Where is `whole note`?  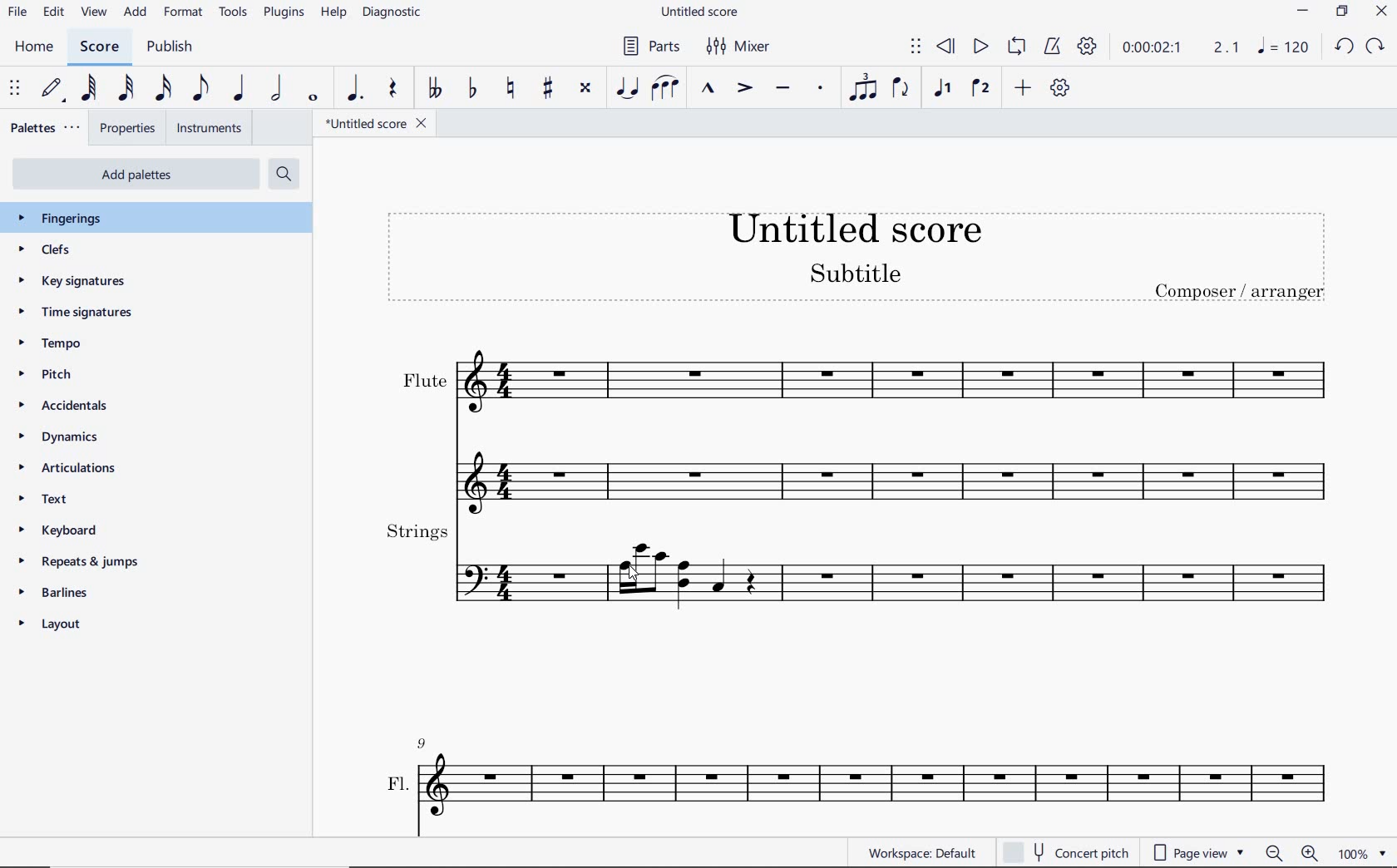
whole note is located at coordinates (313, 96).